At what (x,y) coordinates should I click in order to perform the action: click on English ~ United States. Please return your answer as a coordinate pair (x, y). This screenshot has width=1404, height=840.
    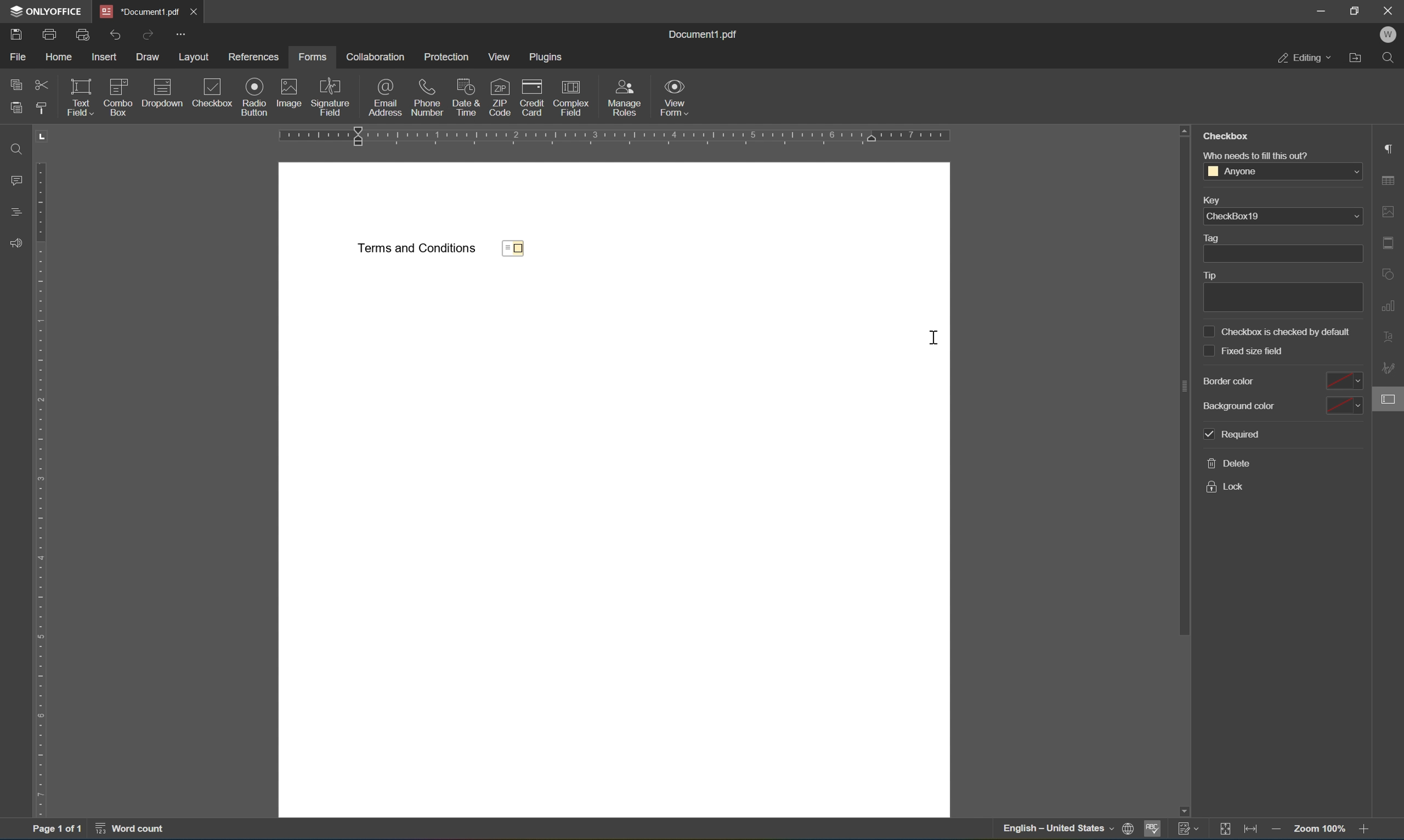
    Looking at the image, I should click on (1052, 829).